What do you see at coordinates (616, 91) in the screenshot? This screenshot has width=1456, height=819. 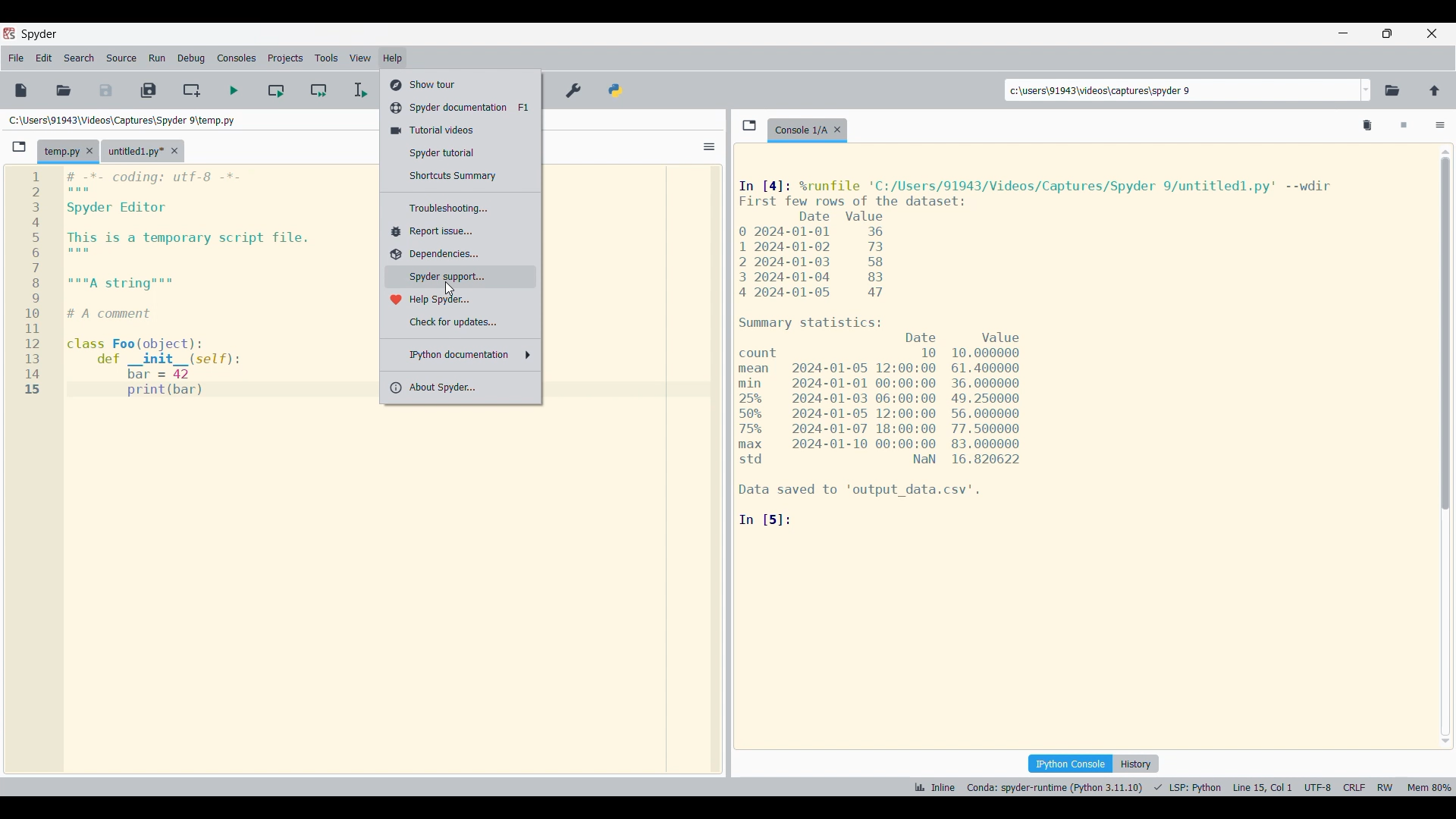 I see `PYTHONPATH manager` at bounding box center [616, 91].